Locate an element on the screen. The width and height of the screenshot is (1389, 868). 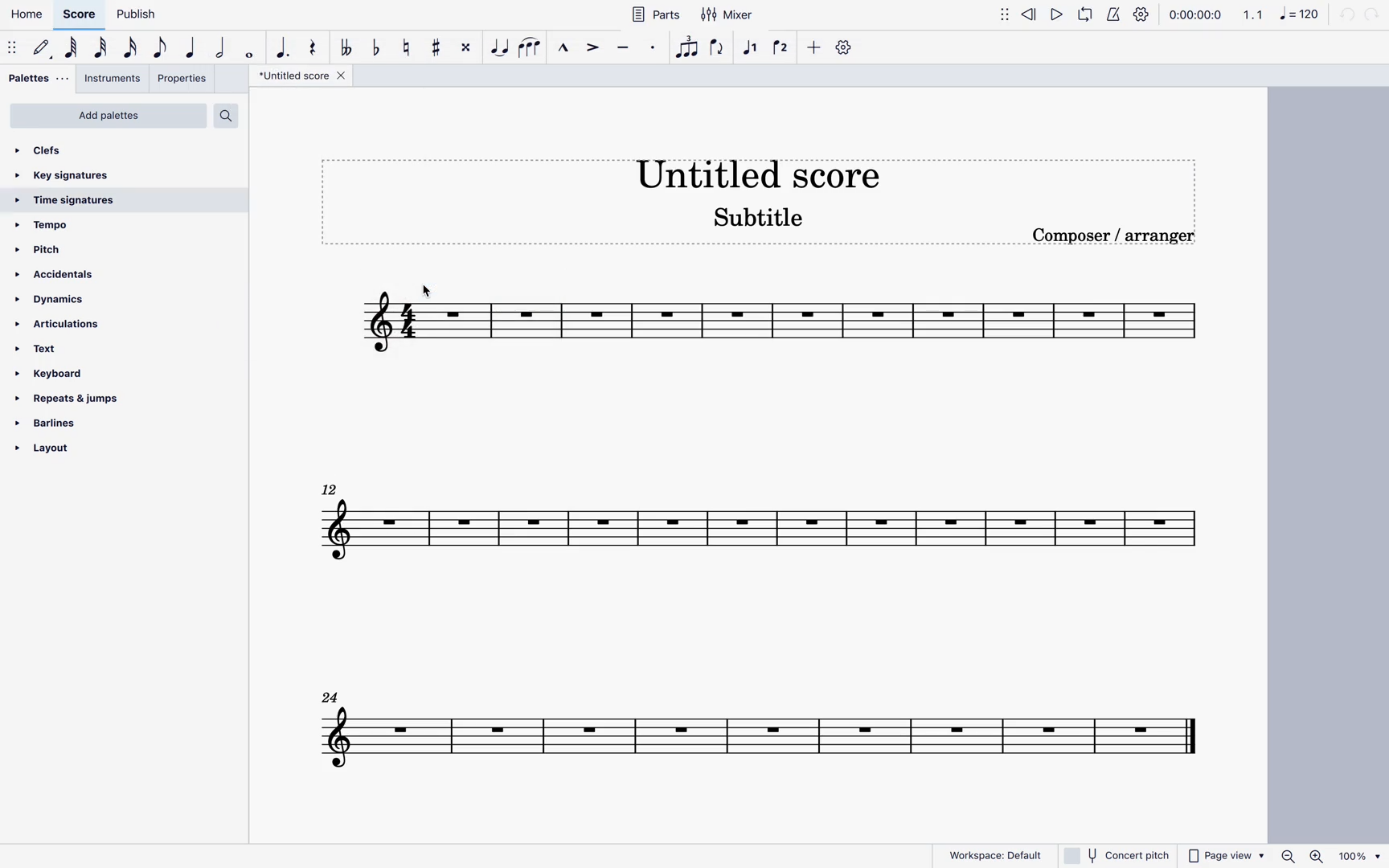
score is located at coordinates (758, 728).